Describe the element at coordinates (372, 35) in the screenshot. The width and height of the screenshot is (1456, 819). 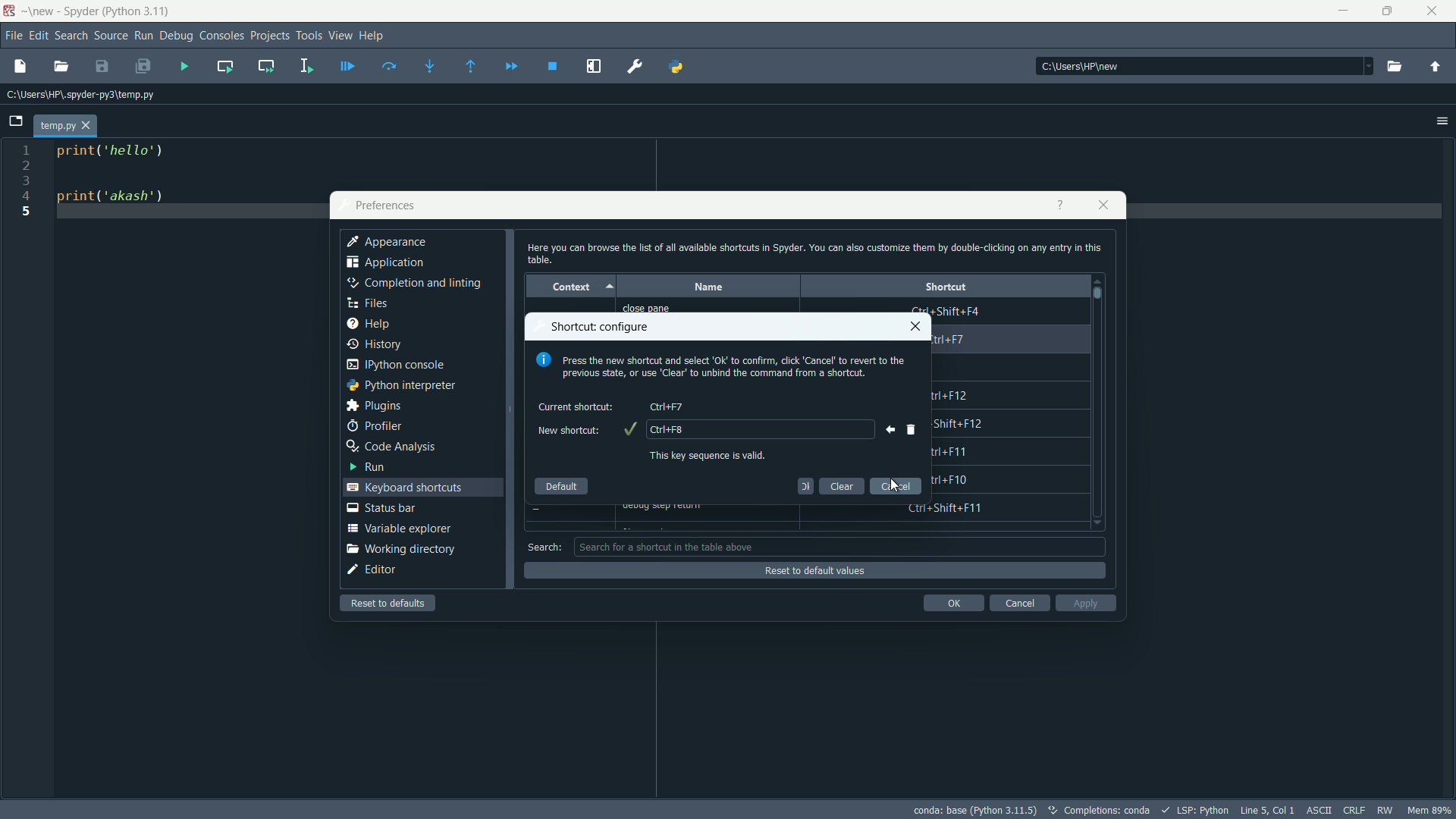
I see `help menu` at that location.